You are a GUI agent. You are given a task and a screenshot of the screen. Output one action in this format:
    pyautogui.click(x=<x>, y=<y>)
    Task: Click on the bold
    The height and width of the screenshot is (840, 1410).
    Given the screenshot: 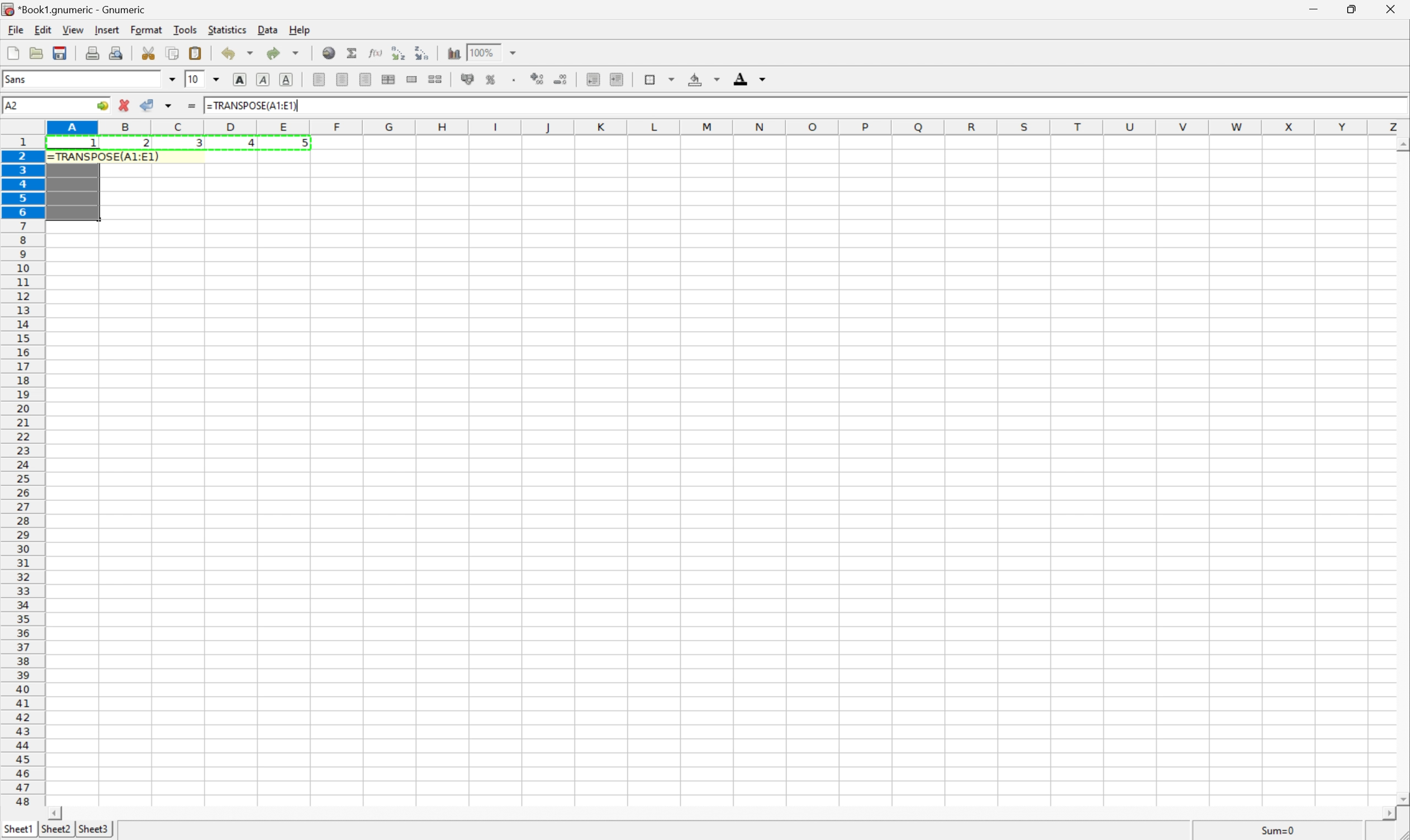 What is the action you would take?
    pyautogui.click(x=242, y=79)
    